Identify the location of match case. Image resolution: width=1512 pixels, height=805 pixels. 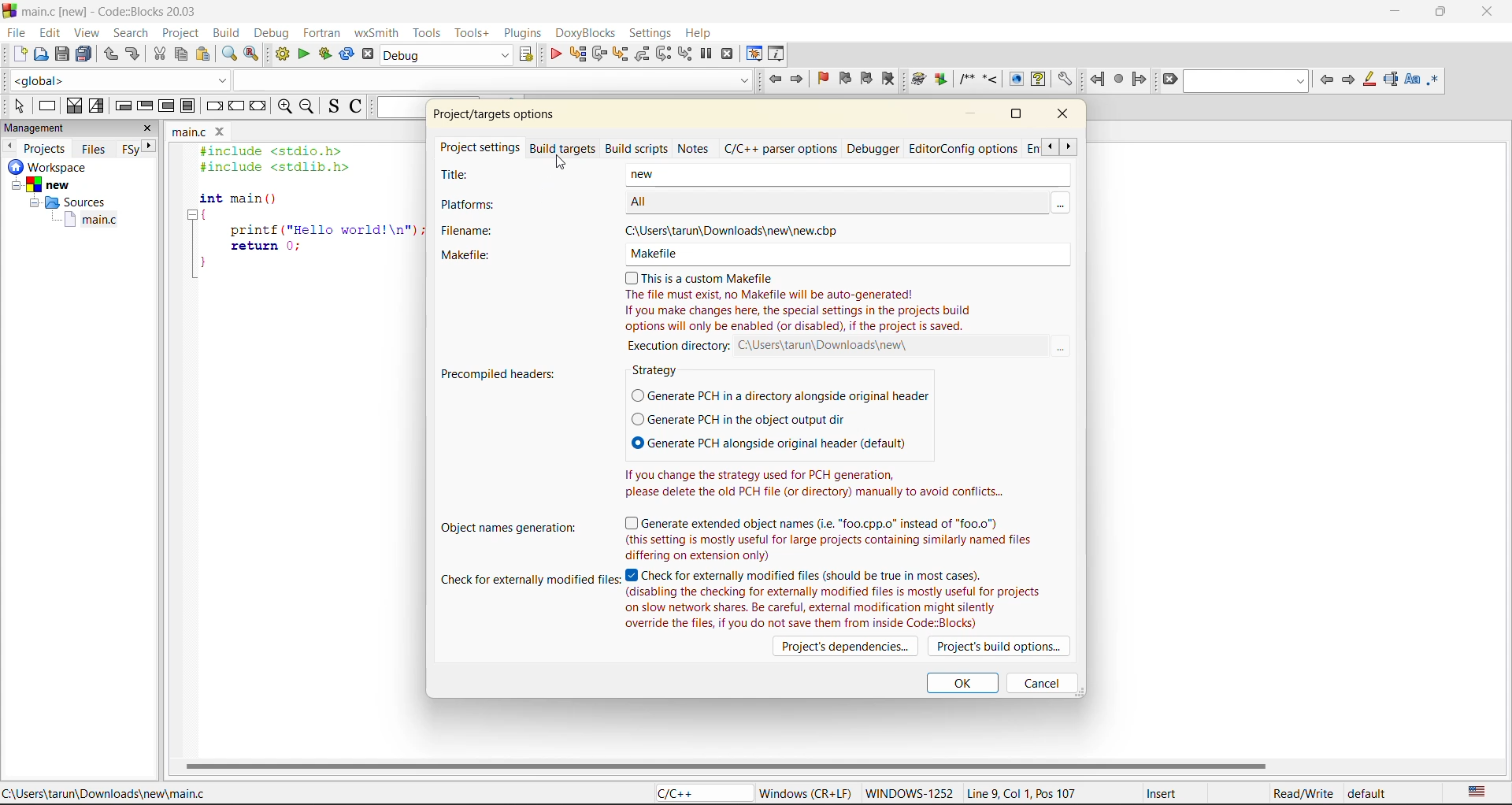
(1412, 81).